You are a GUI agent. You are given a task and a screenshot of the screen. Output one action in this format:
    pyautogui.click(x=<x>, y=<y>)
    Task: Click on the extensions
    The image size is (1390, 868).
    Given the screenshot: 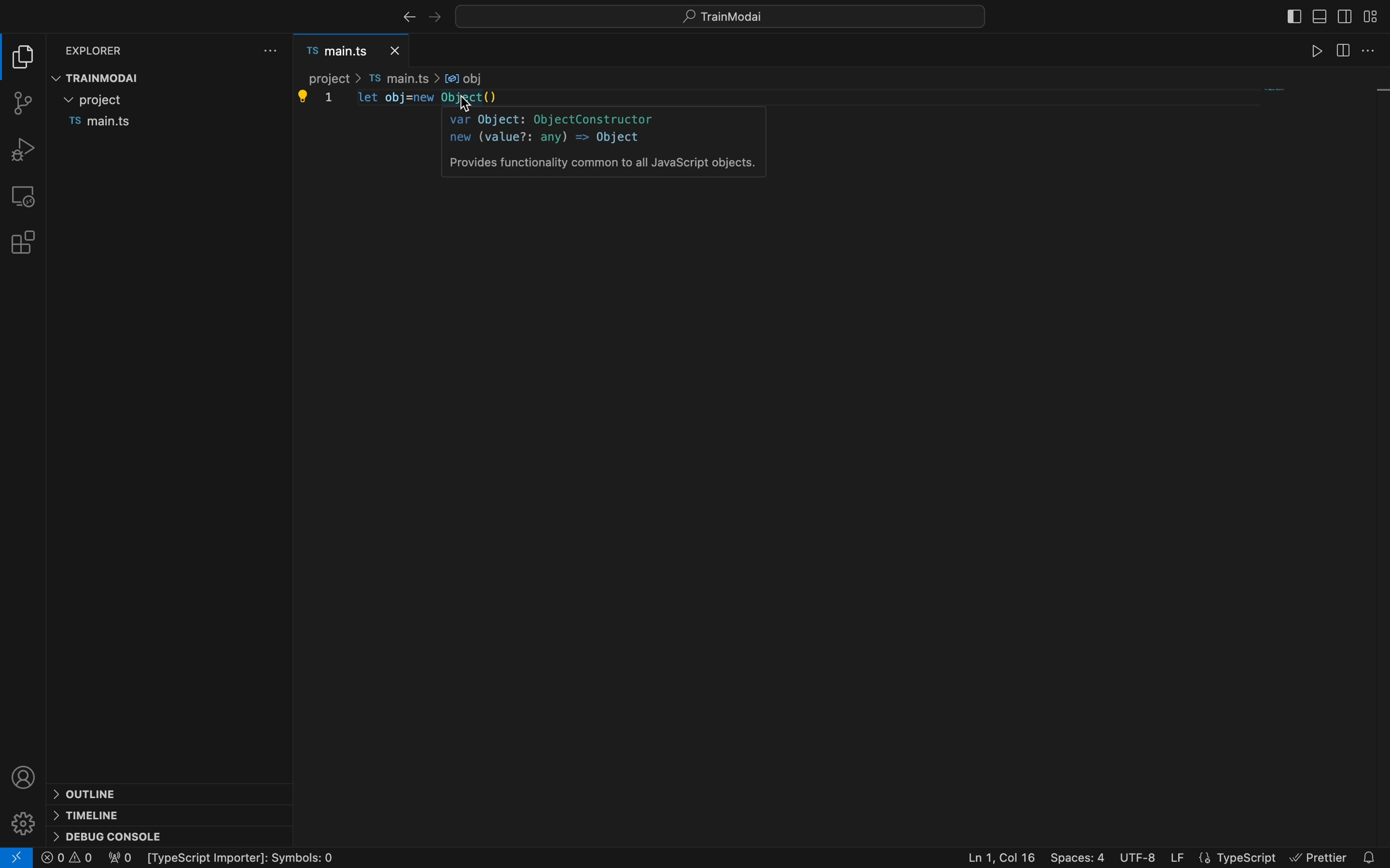 What is the action you would take?
    pyautogui.click(x=22, y=243)
    